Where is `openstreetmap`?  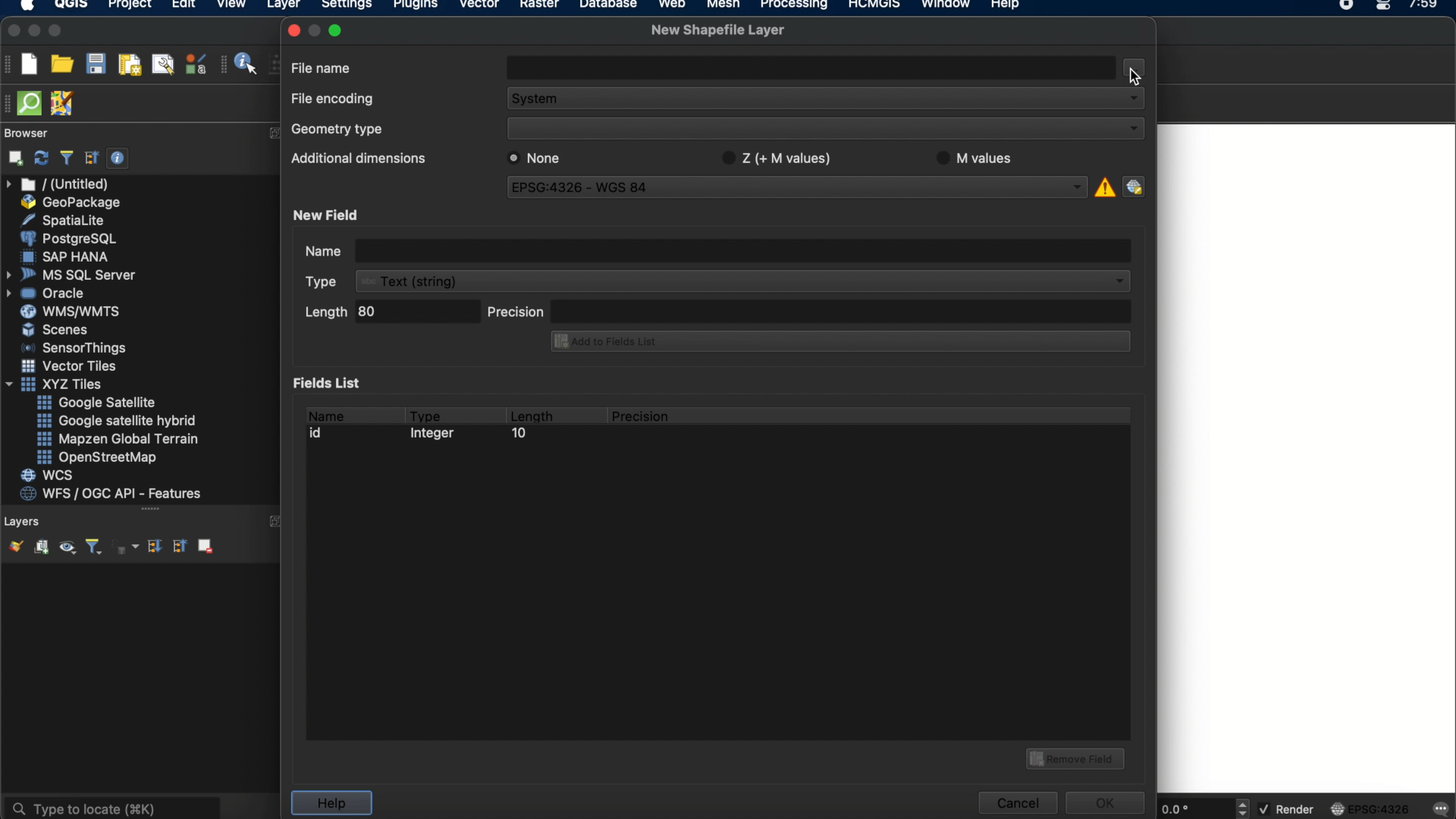
openstreetmap is located at coordinates (97, 458).